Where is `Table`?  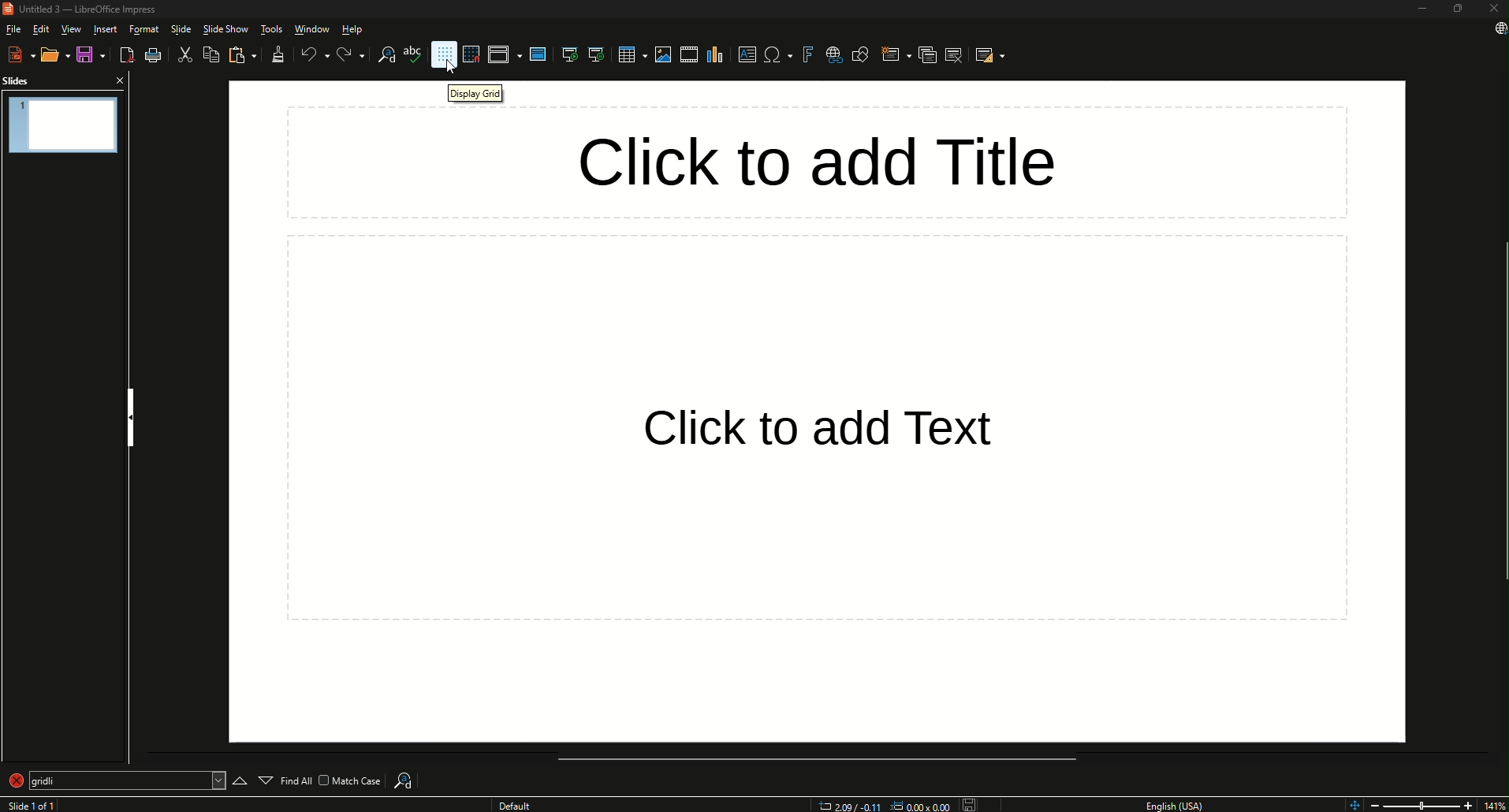
Table is located at coordinates (626, 54).